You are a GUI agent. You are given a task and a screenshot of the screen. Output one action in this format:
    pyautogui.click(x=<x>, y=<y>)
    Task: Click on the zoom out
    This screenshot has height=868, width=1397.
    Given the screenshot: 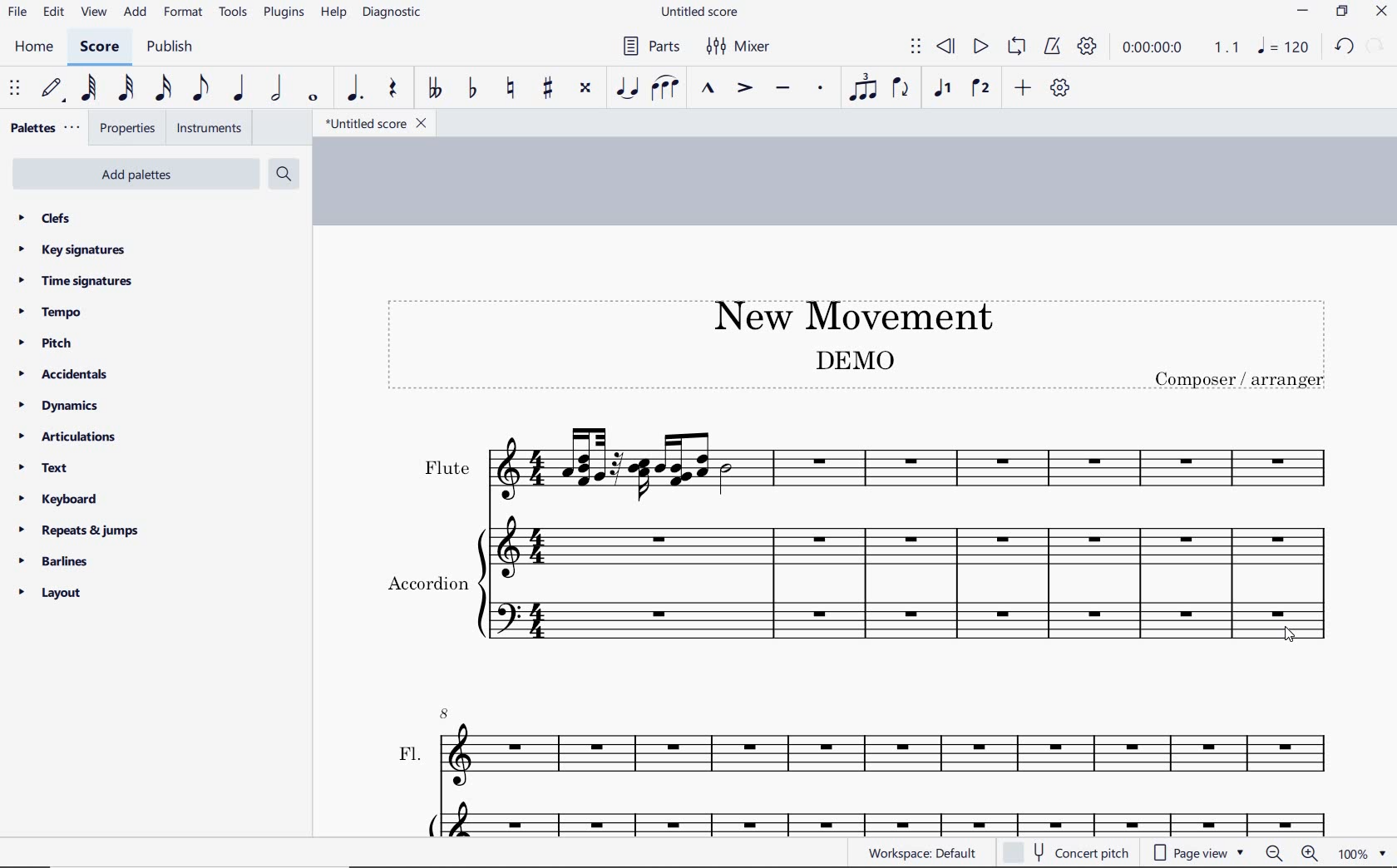 What is the action you would take?
    pyautogui.click(x=1276, y=853)
    